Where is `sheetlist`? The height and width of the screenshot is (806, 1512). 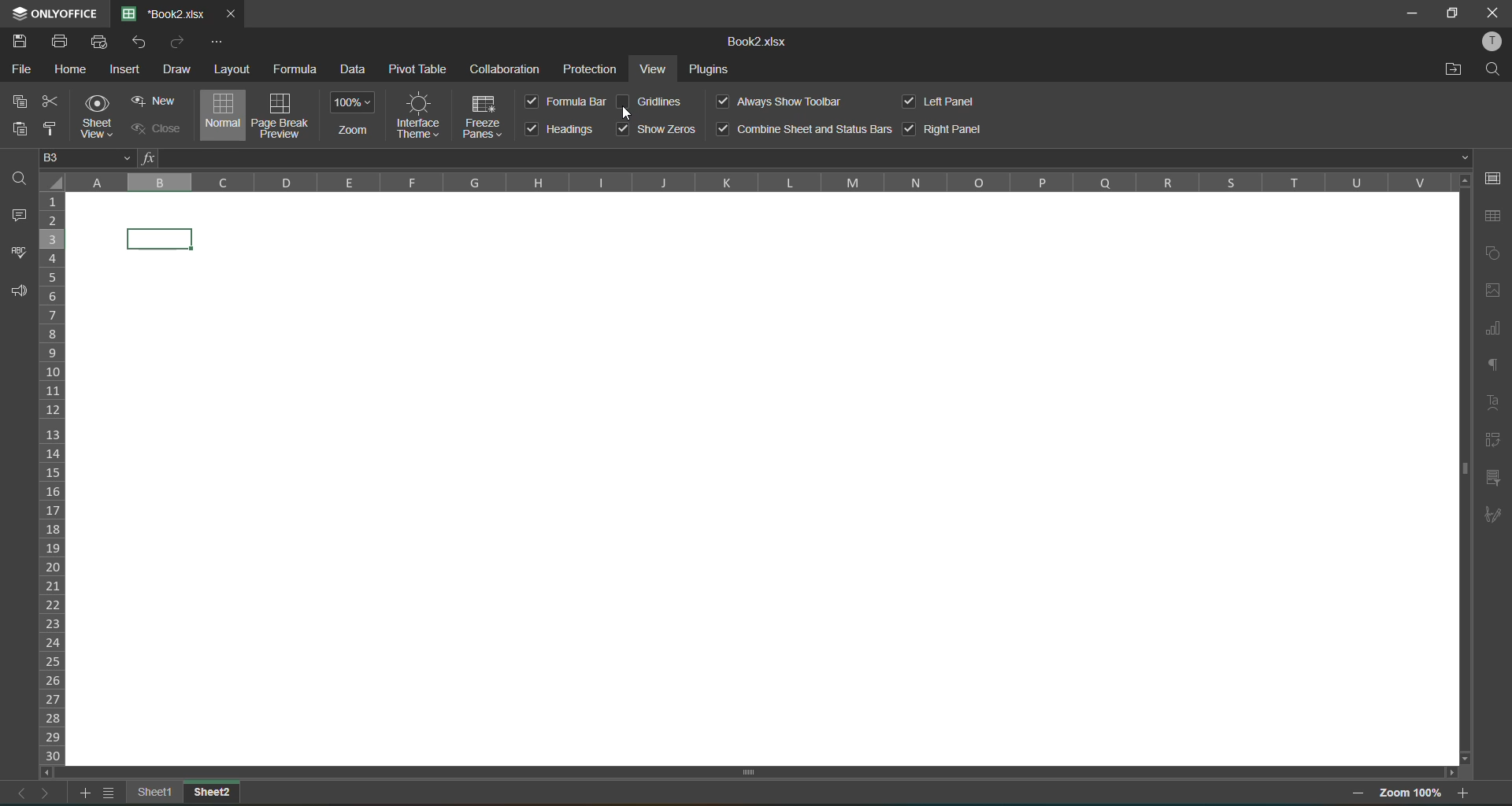
sheetlist is located at coordinates (113, 793).